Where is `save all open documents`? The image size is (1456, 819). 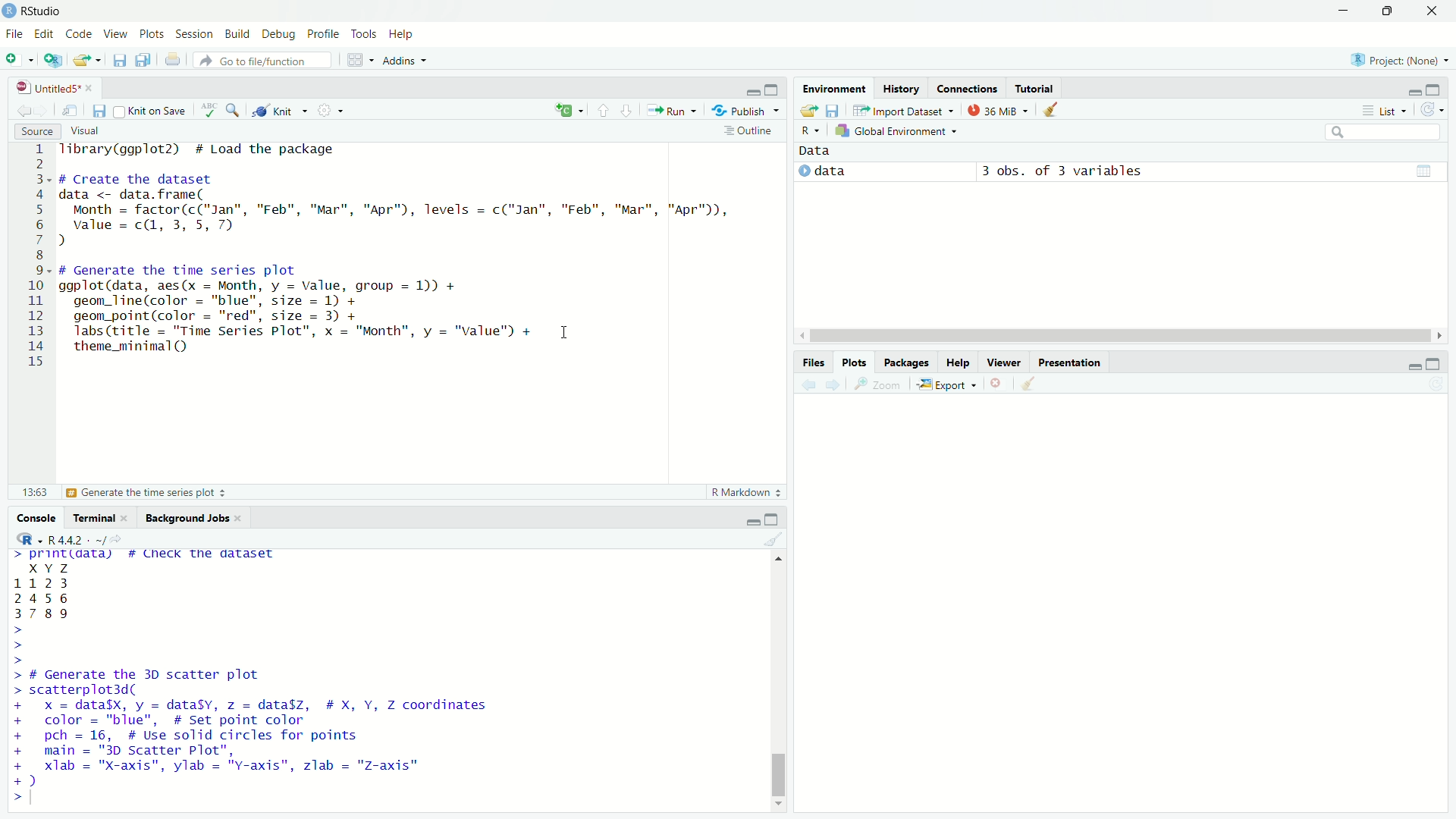
save all open documents is located at coordinates (145, 61).